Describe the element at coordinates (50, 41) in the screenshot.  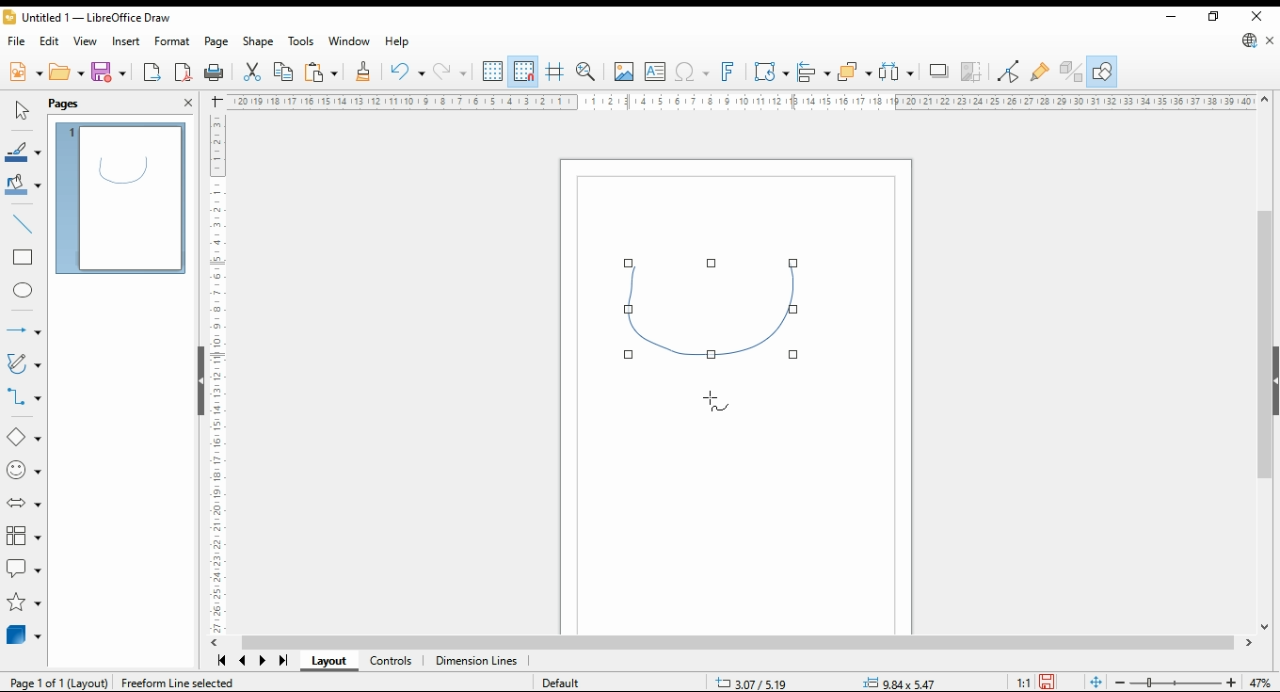
I see `edit` at that location.